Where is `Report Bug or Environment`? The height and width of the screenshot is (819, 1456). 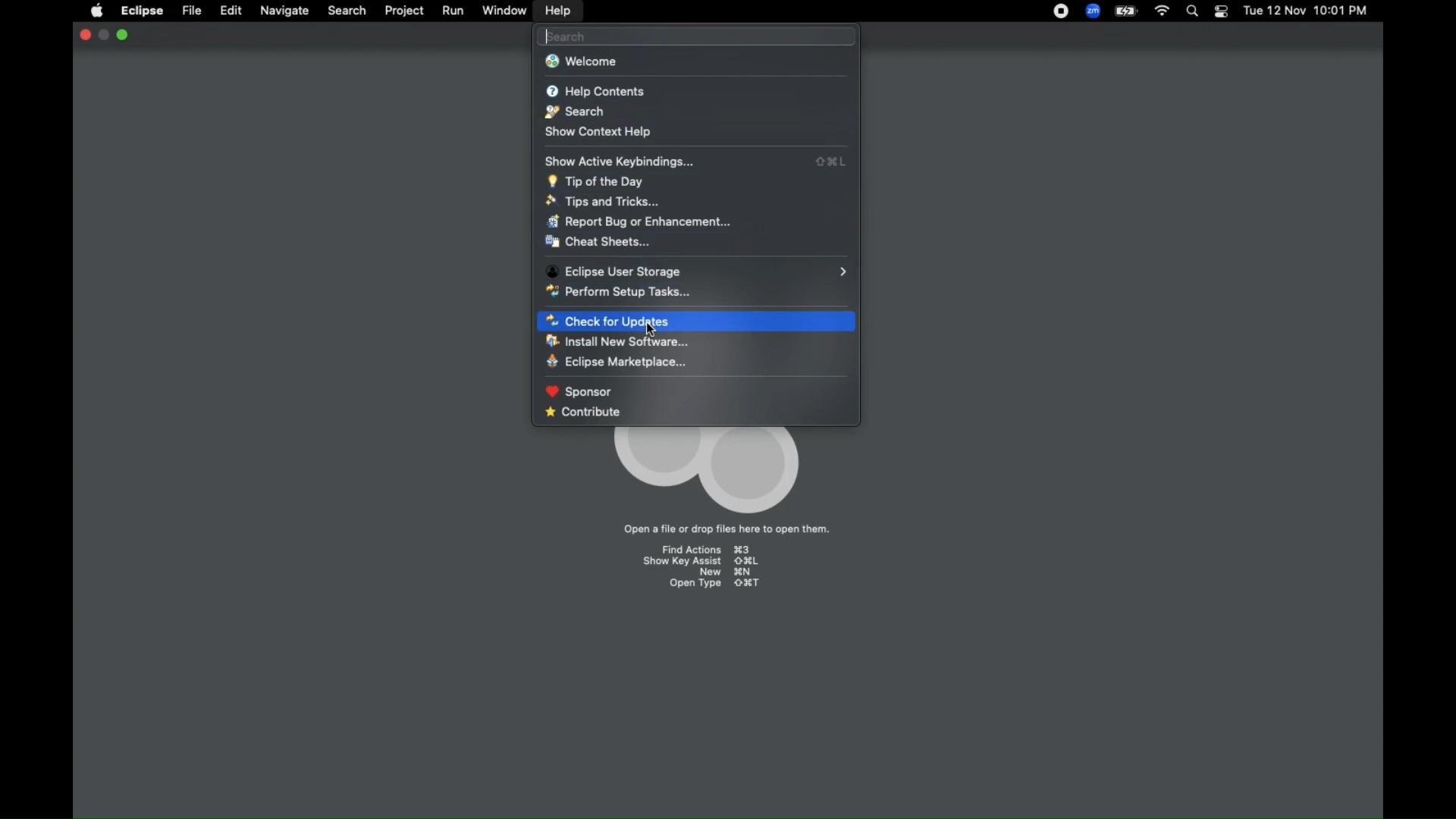 Report Bug or Environment is located at coordinates (698, 221).